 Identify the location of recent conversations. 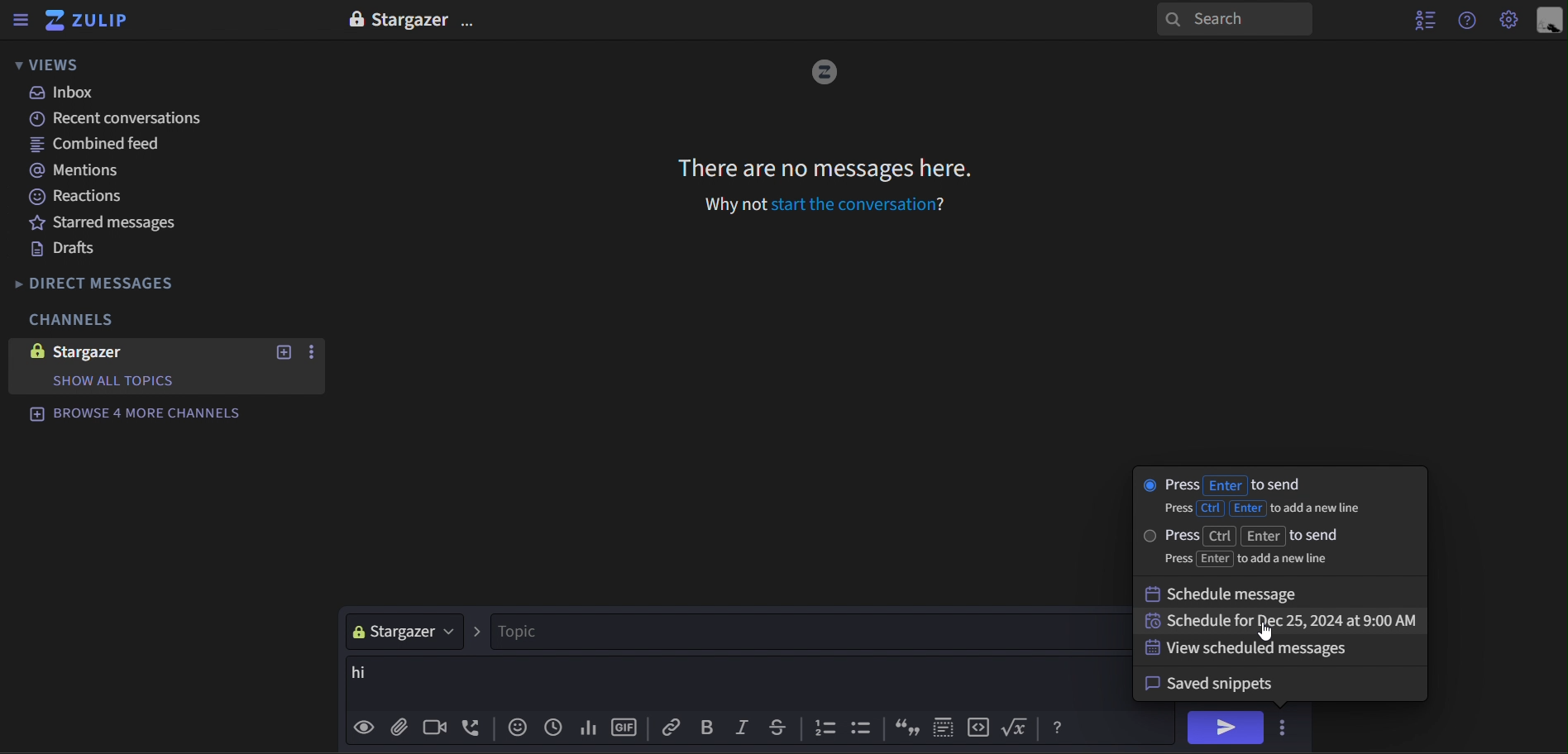
(122, 118).